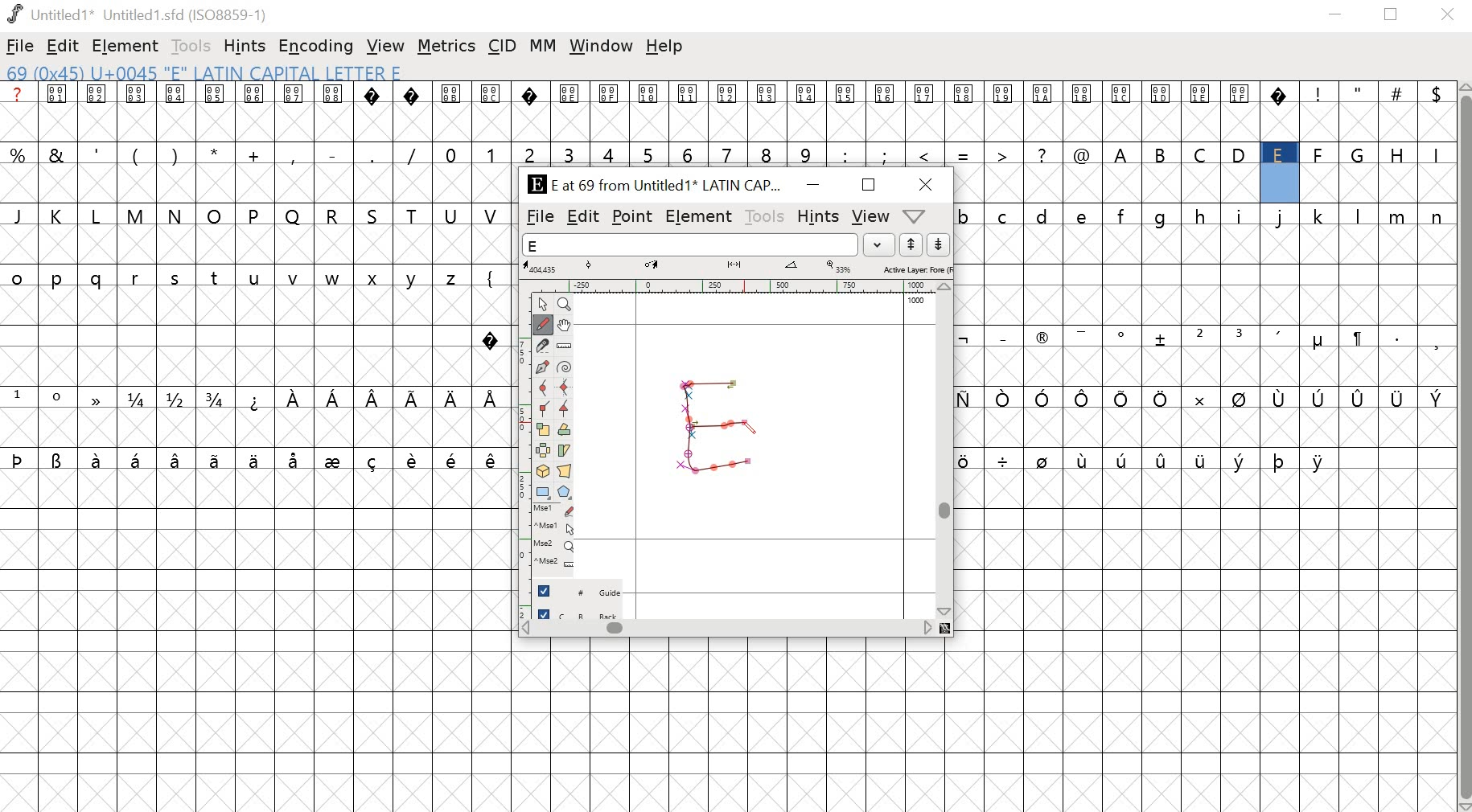 This screenshot has height=812, width=1472. Describe the element at coordinates (1202, 215) in the screenshot. I see `lowercase alphabets` at that location.